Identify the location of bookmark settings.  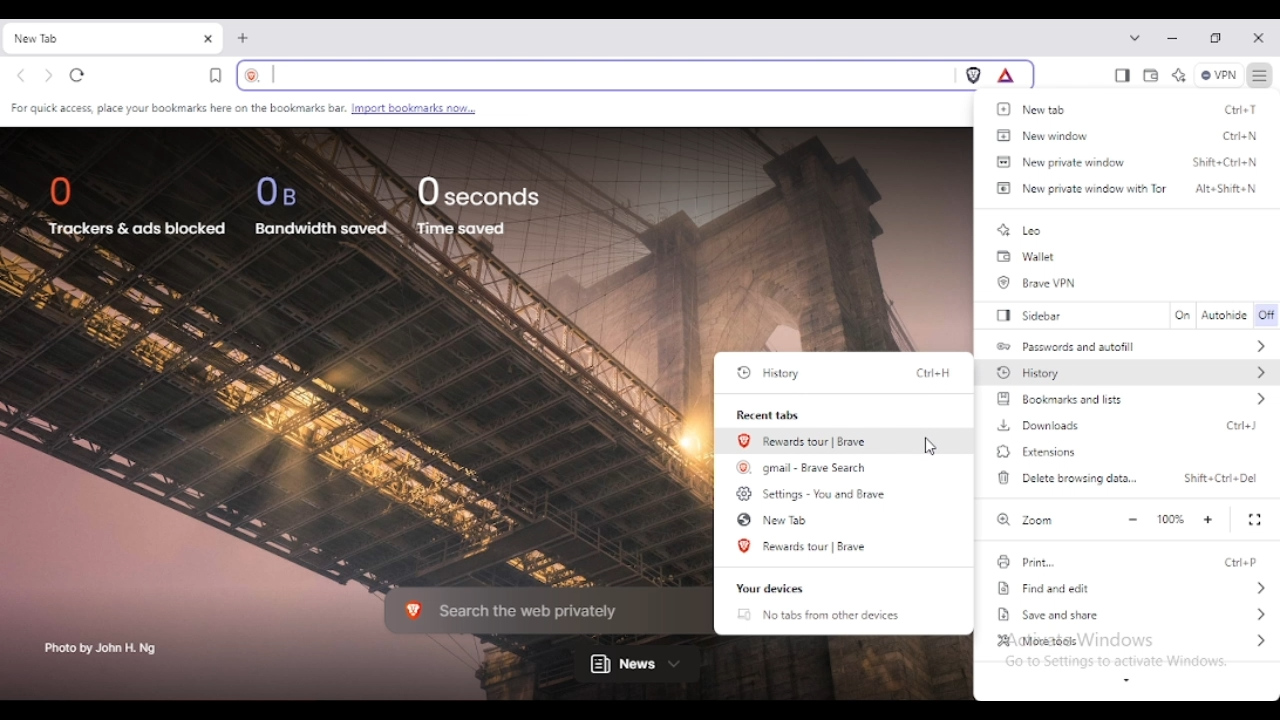
(243, 109).